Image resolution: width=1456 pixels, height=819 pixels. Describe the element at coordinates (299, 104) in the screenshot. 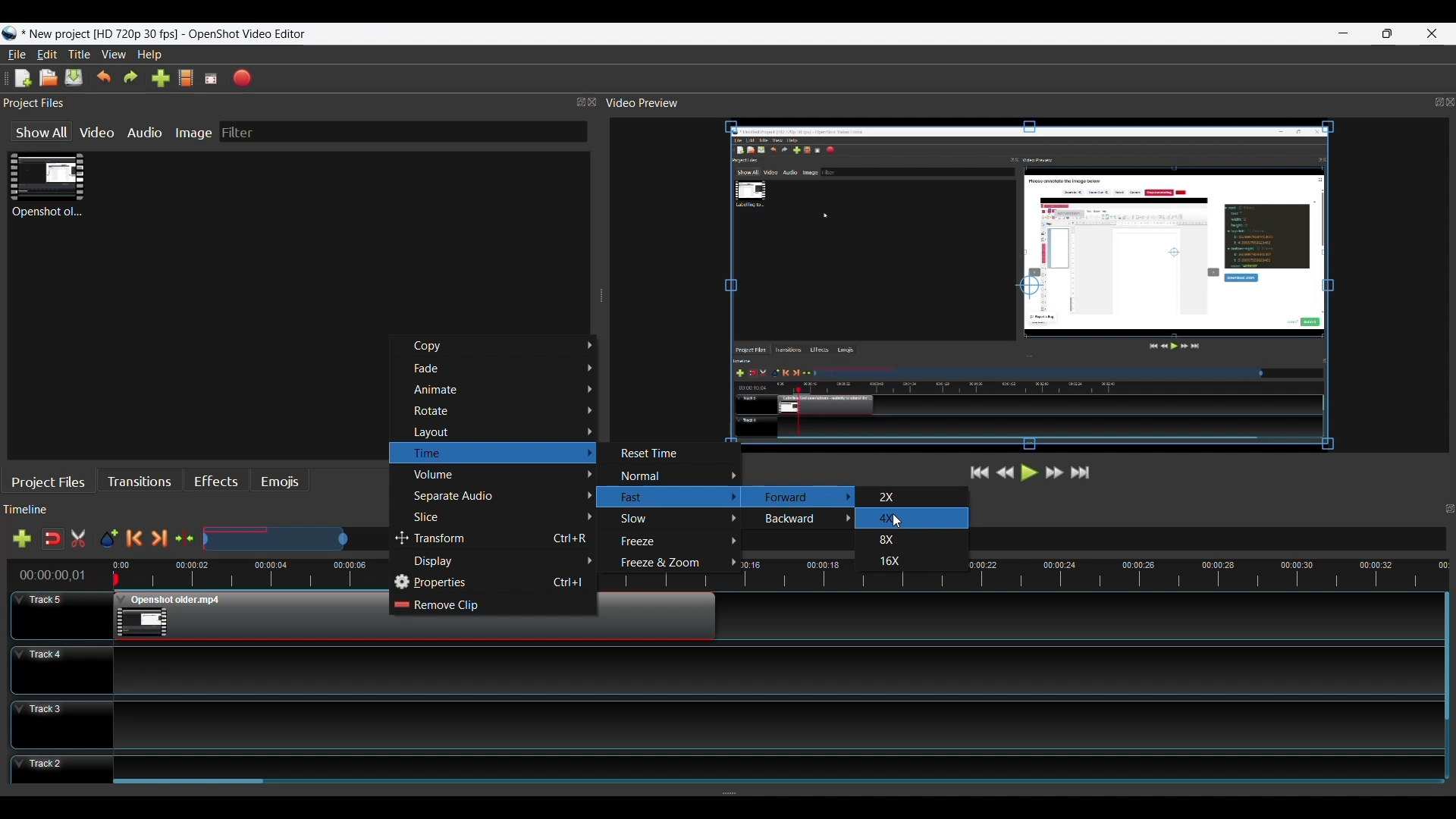

I see `Project Files` at that location.